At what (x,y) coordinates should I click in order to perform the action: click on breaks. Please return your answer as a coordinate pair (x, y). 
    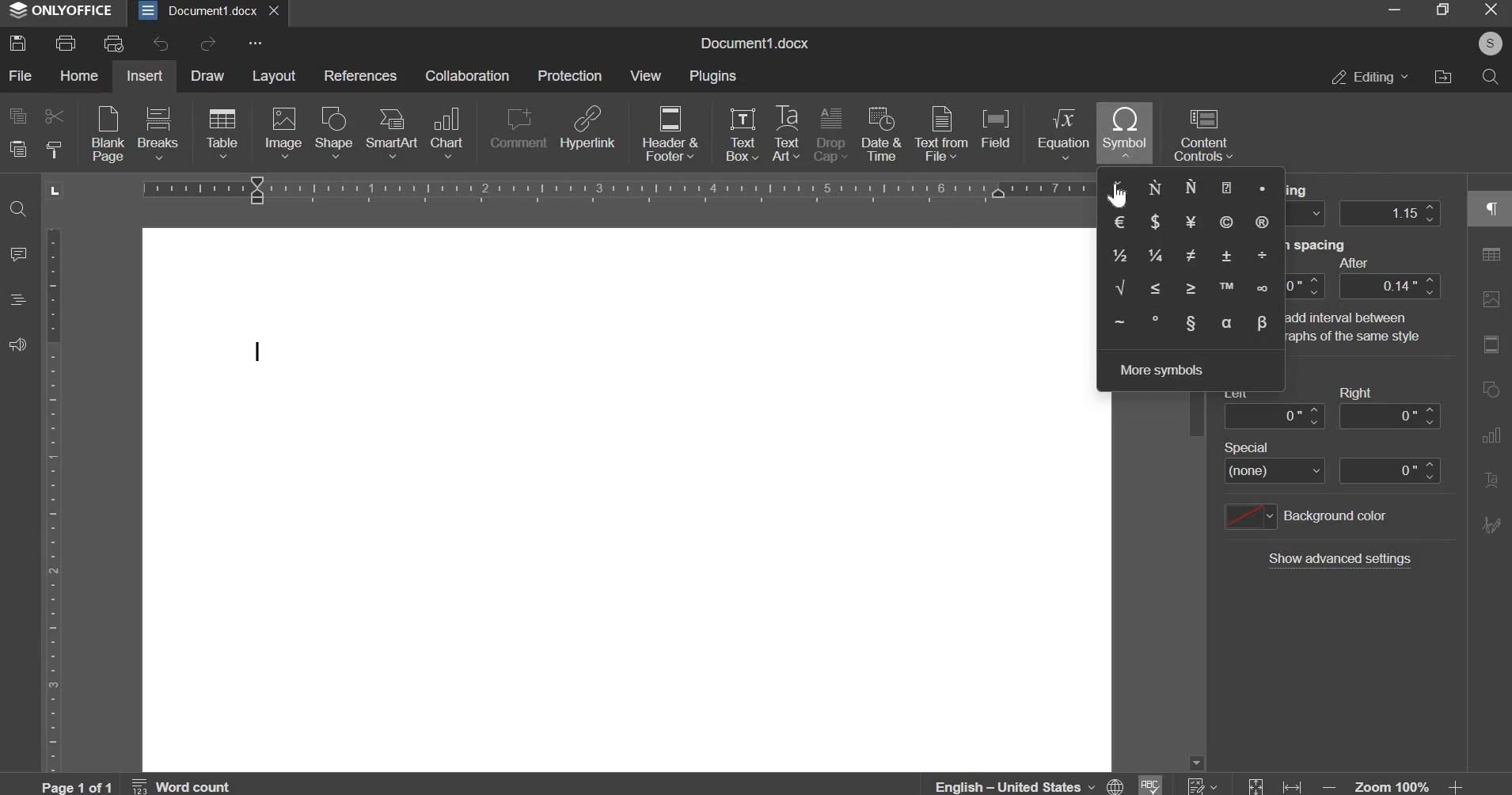
    Looking at the image, I should click on (158, 133).